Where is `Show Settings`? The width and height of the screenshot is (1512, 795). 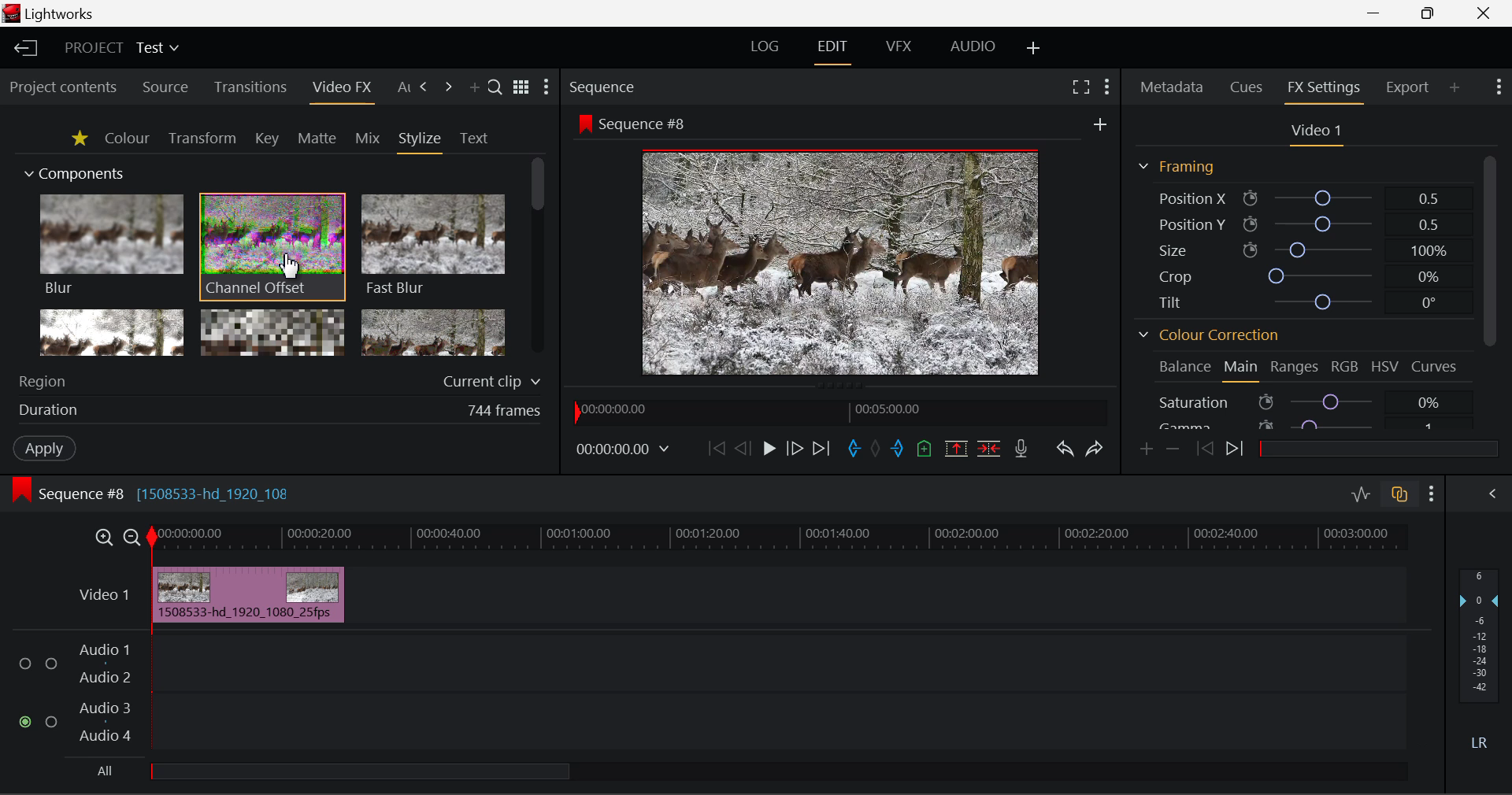
Show Settings is located at coordinates (1498, 87).